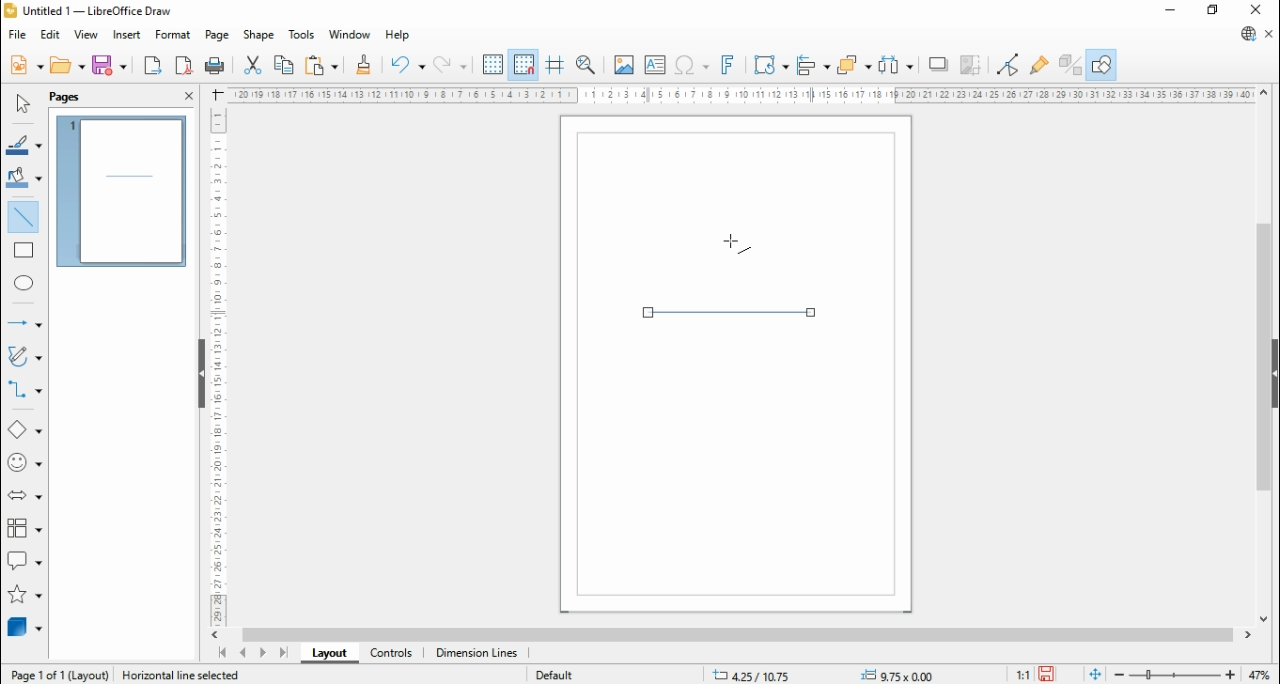 The height and width of the screenshot is (684, 1280). Describe the element at coordinates (259, 35) in the screenshot. I see `shape` at that location.